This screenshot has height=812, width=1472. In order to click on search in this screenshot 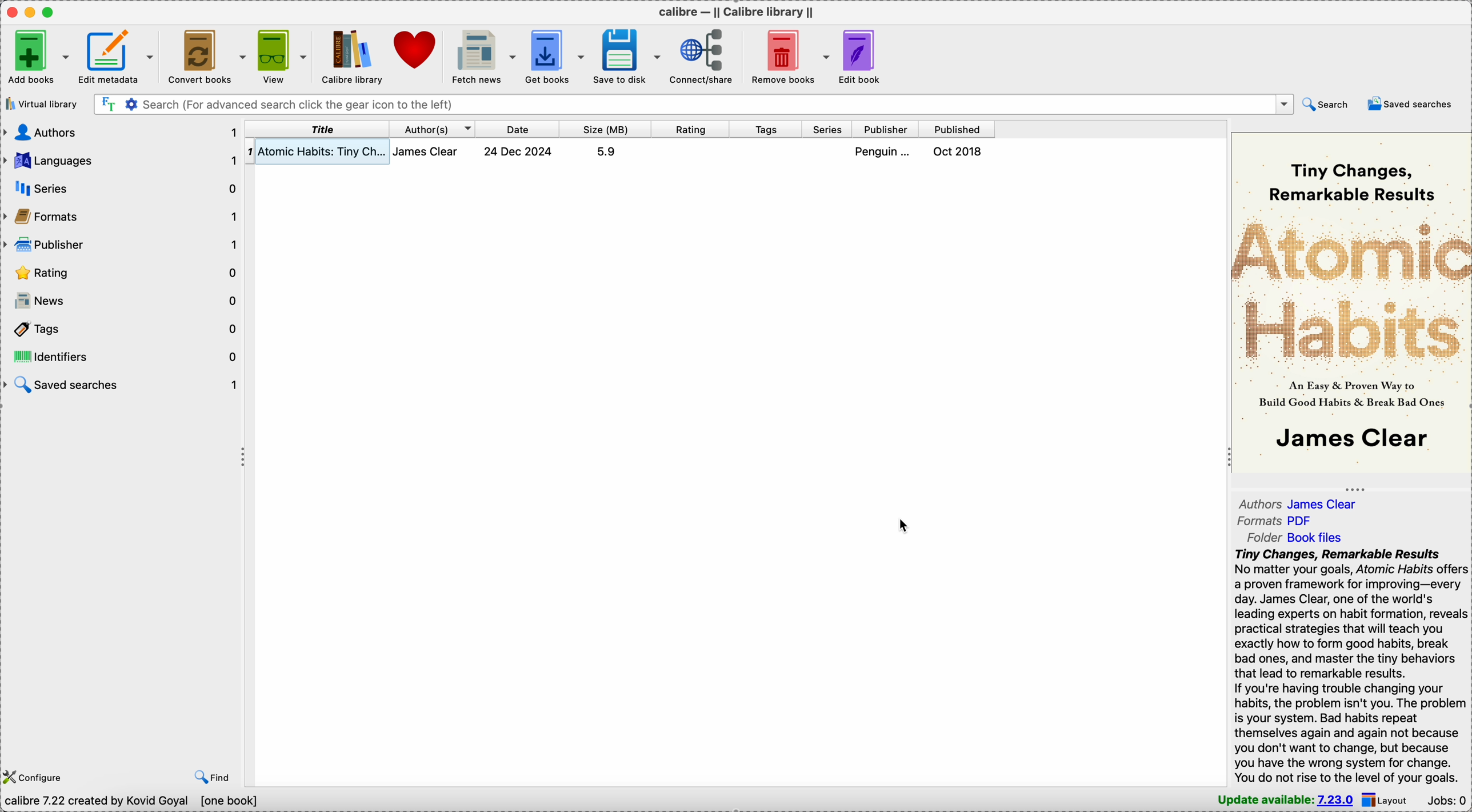, I will do `click(1325, 103)`.